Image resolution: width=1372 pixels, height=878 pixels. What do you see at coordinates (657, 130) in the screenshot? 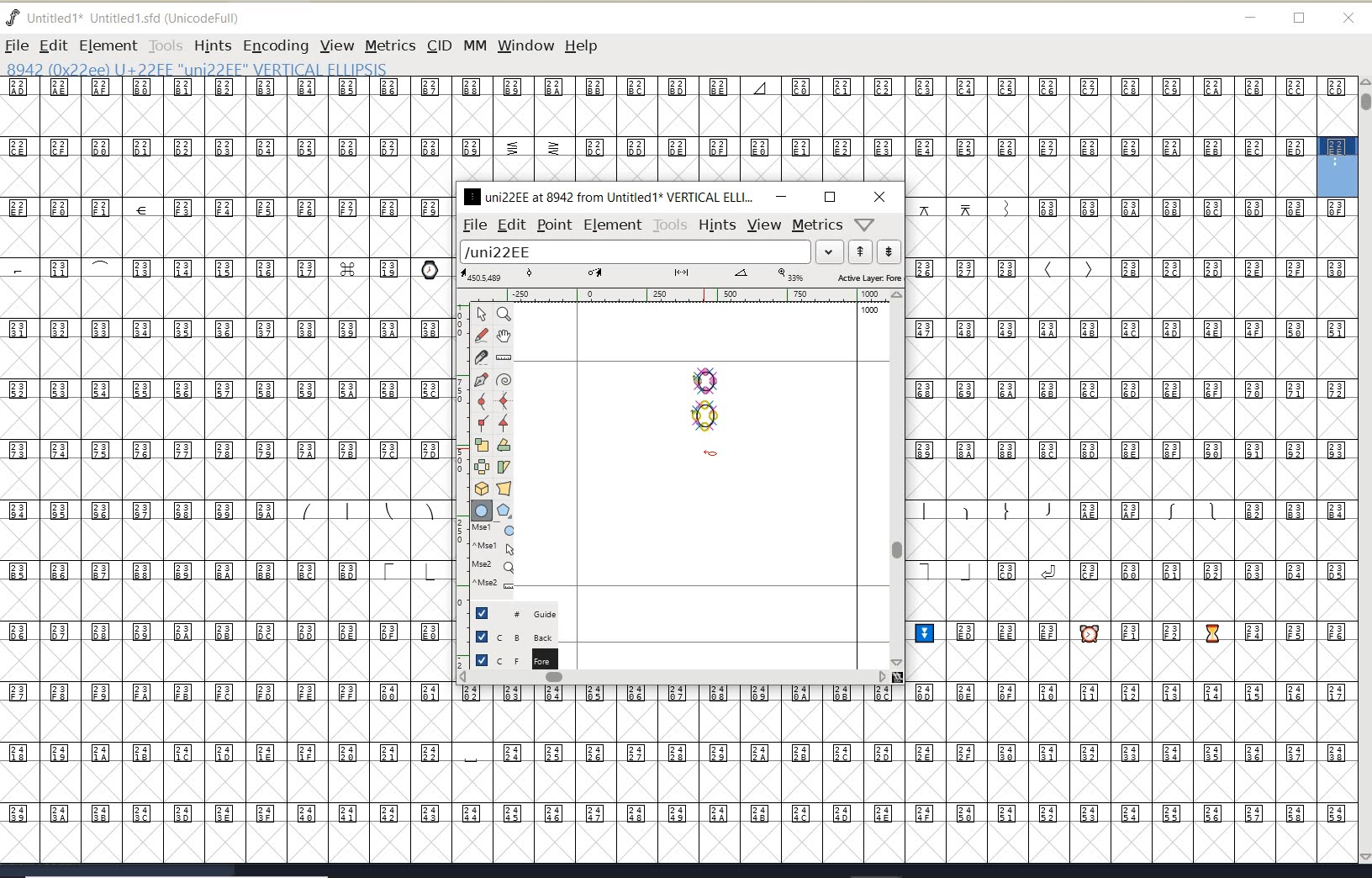
I see `GLYPHY CHARACTERS & NUMBERS` at bounding box center [657, 130].